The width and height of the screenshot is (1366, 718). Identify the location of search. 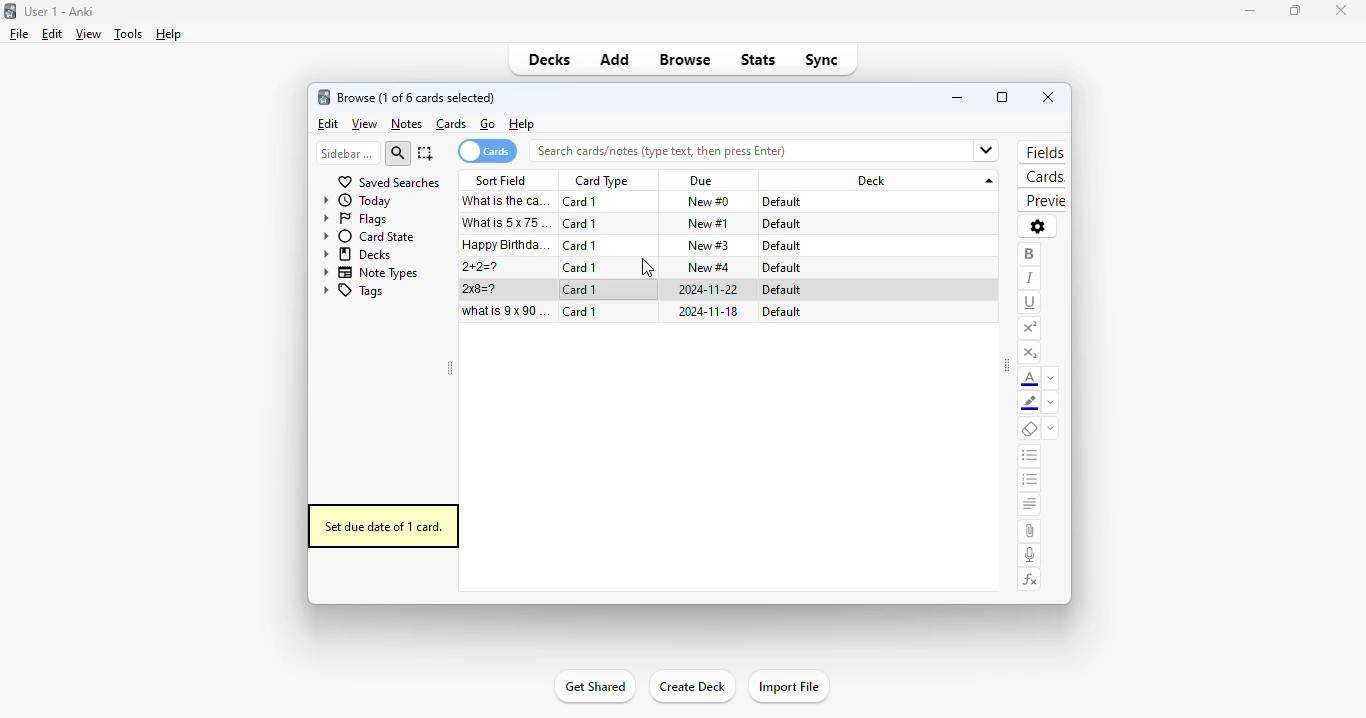
(399, 153).